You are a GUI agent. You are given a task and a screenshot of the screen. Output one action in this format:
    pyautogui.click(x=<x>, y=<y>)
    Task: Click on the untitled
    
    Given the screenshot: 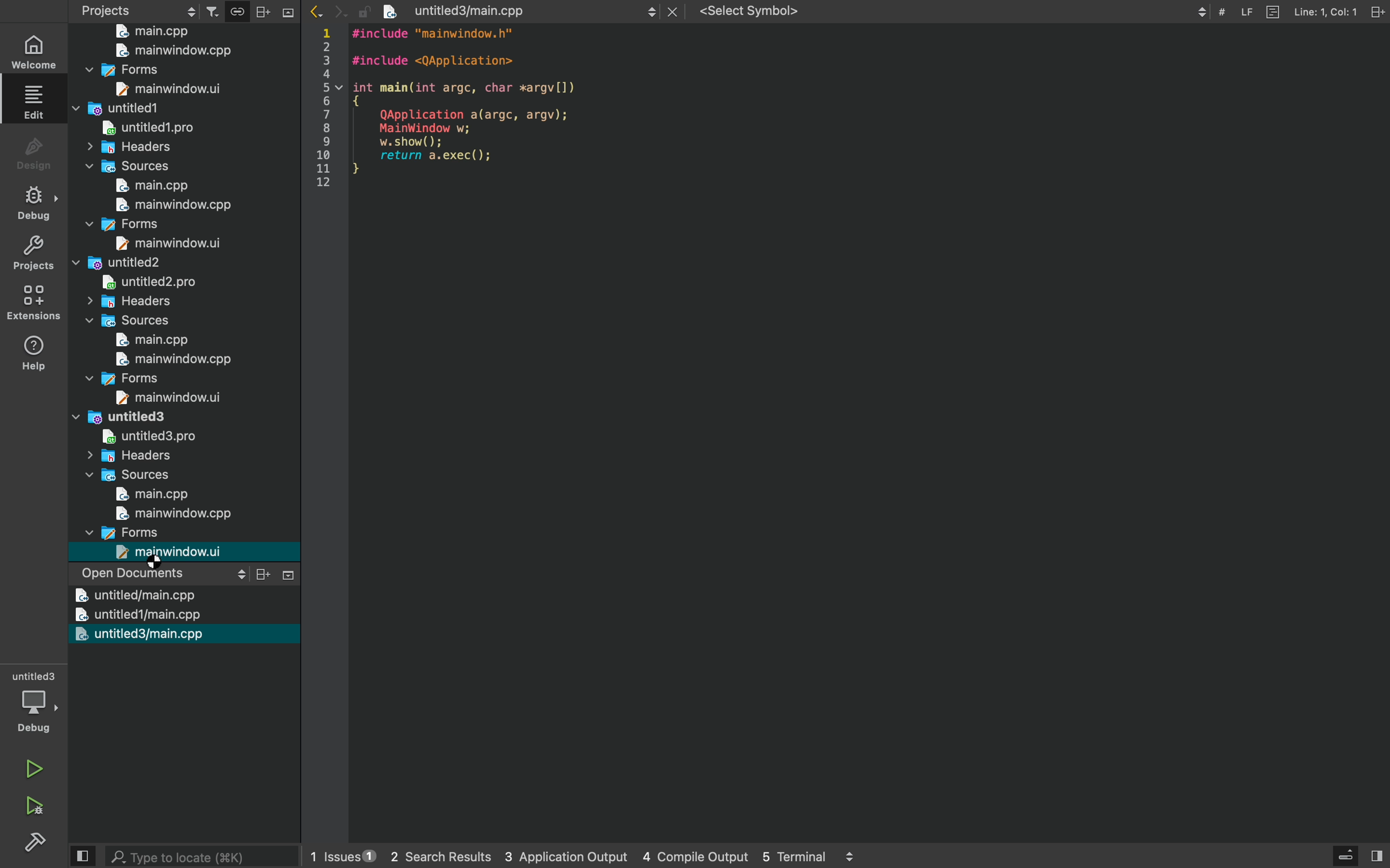 What is the action you would take?
    pyautogui.click(x=153, y=282)
    